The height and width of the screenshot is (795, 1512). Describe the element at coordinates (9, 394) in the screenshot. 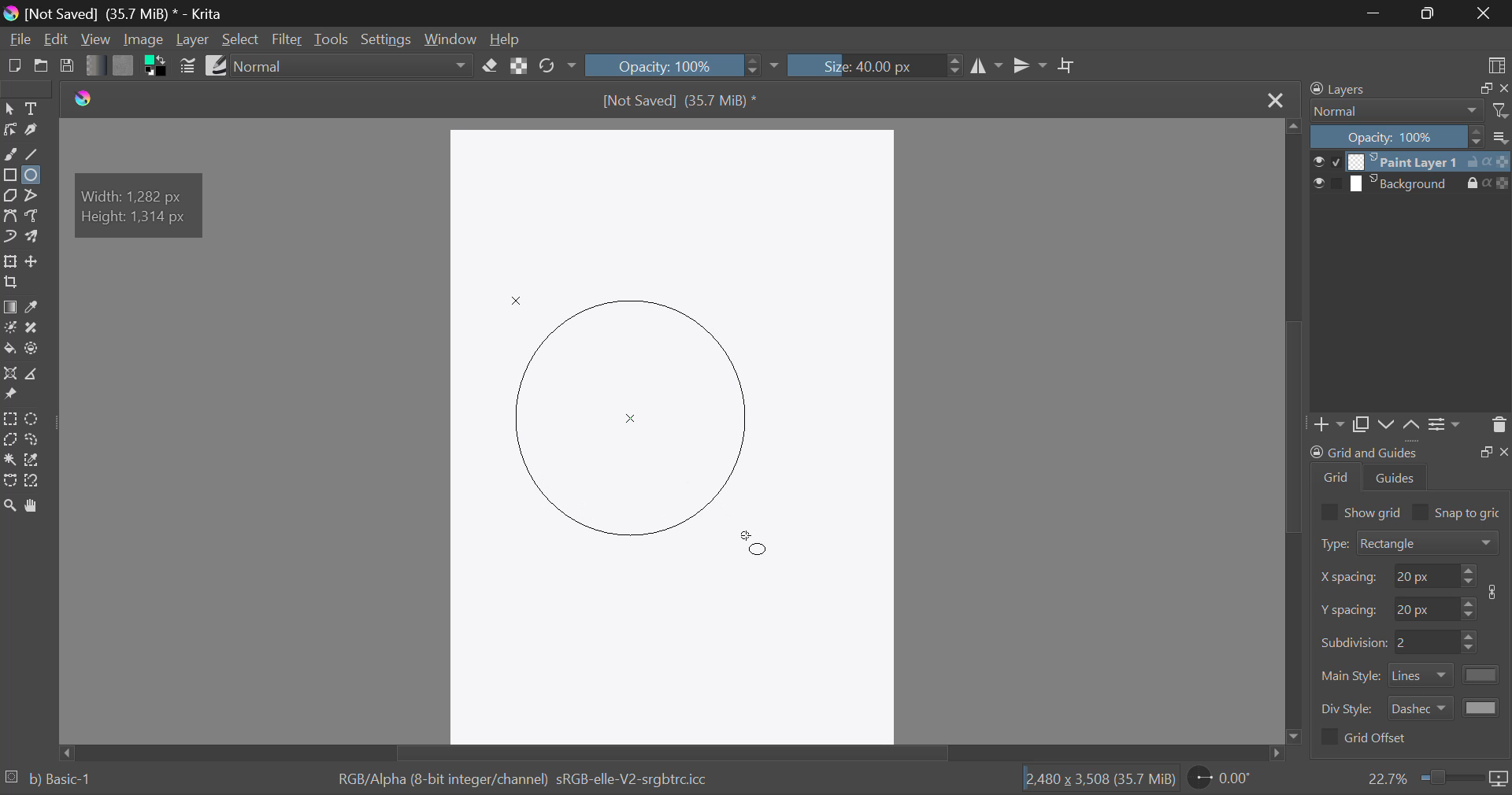

I see `Reference Images` at that location.